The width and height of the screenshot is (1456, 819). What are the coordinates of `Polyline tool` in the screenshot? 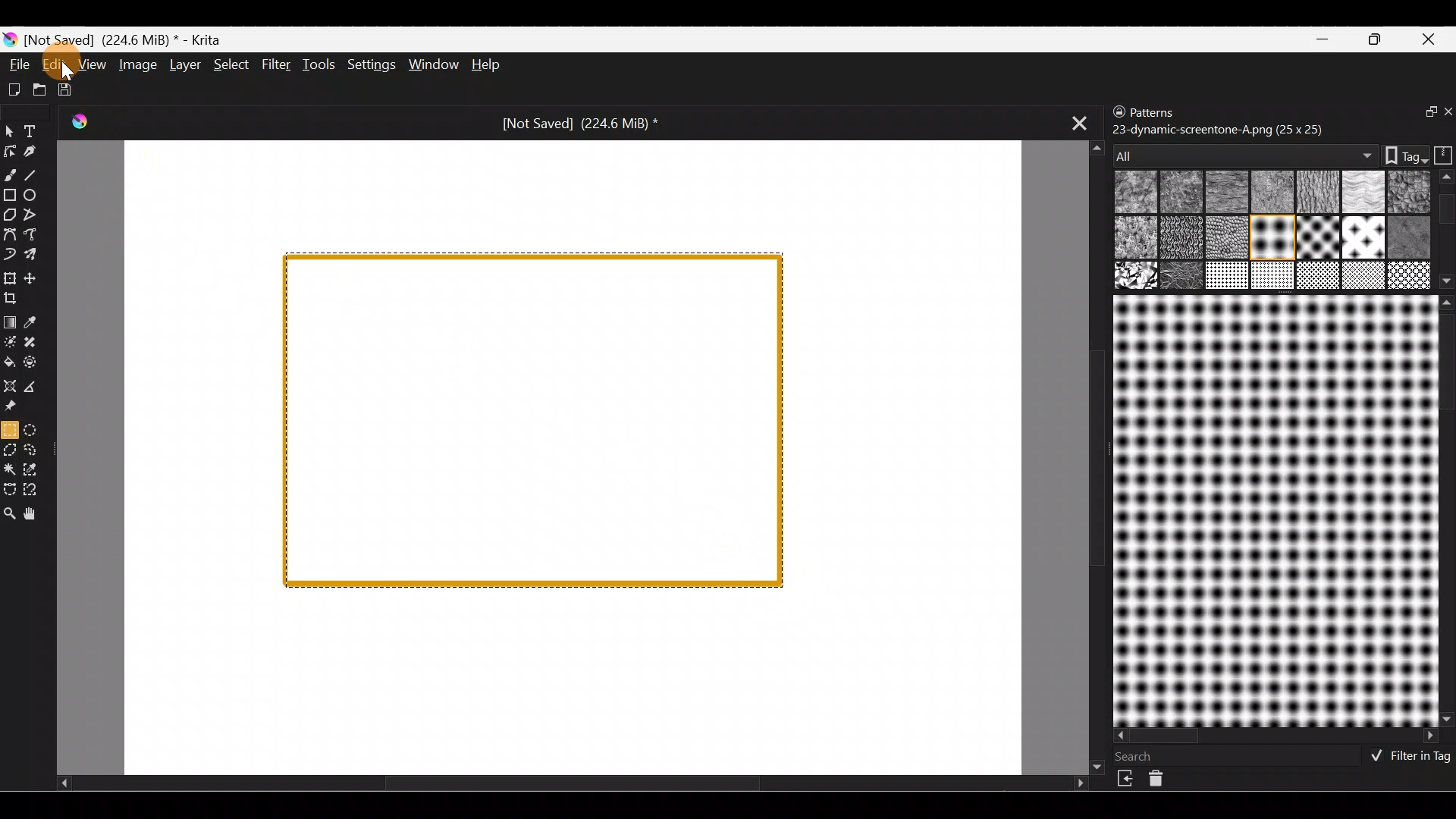 It's located at (32, 215).